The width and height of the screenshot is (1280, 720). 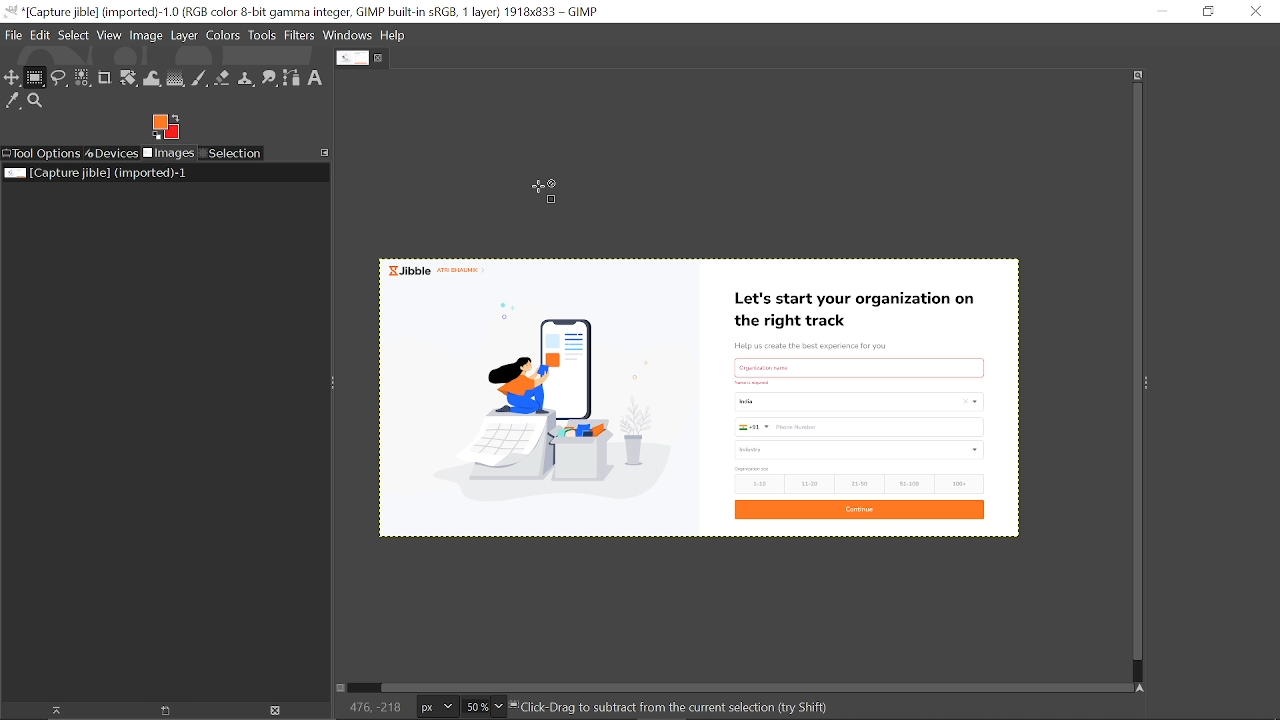 What do you see at coordinates (1161, 12) in the screenshot?
I see `Minimize` at bounding box center [1161, 12].